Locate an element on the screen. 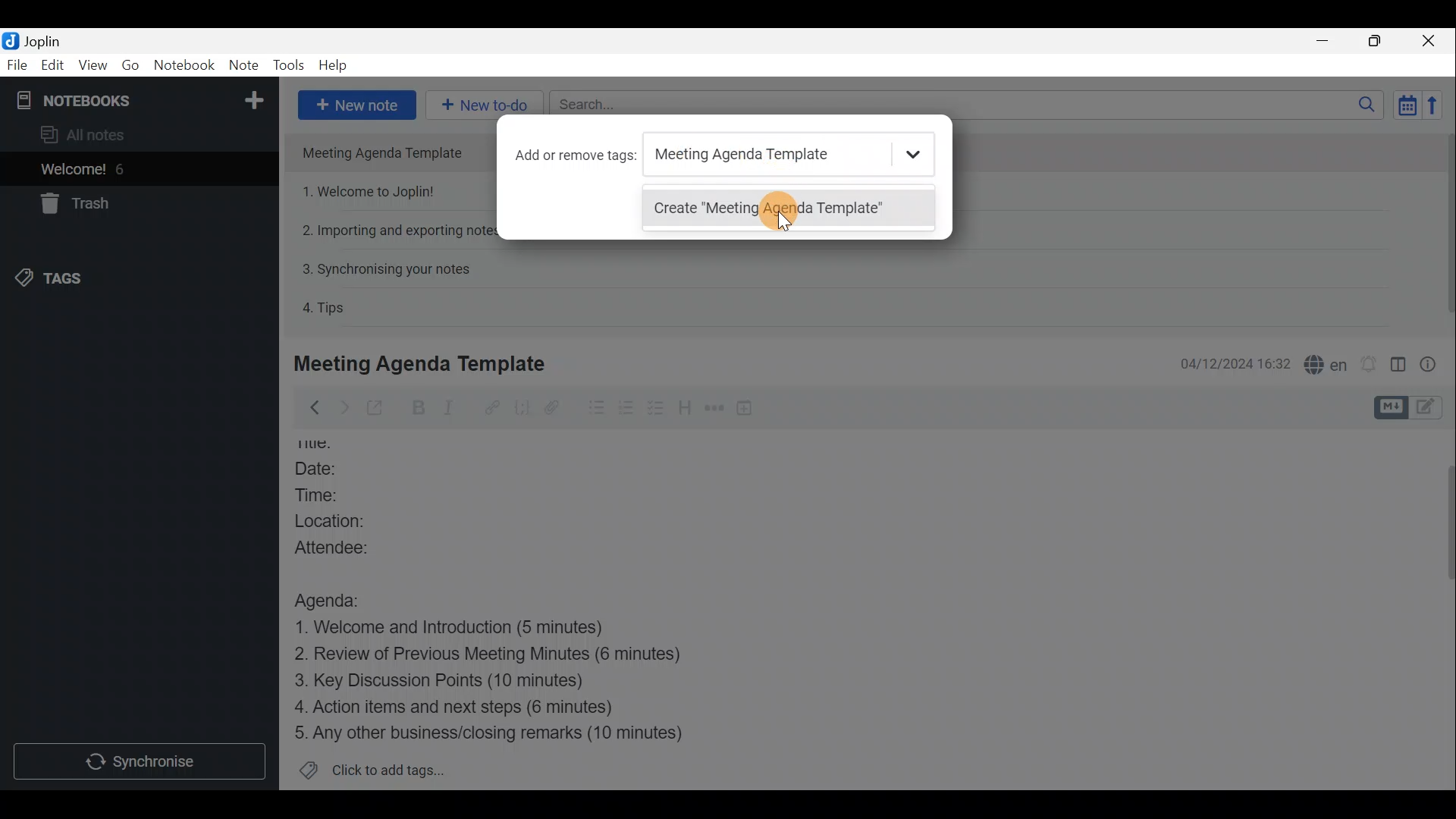  Maximise is located at coordinates (1376, 42).